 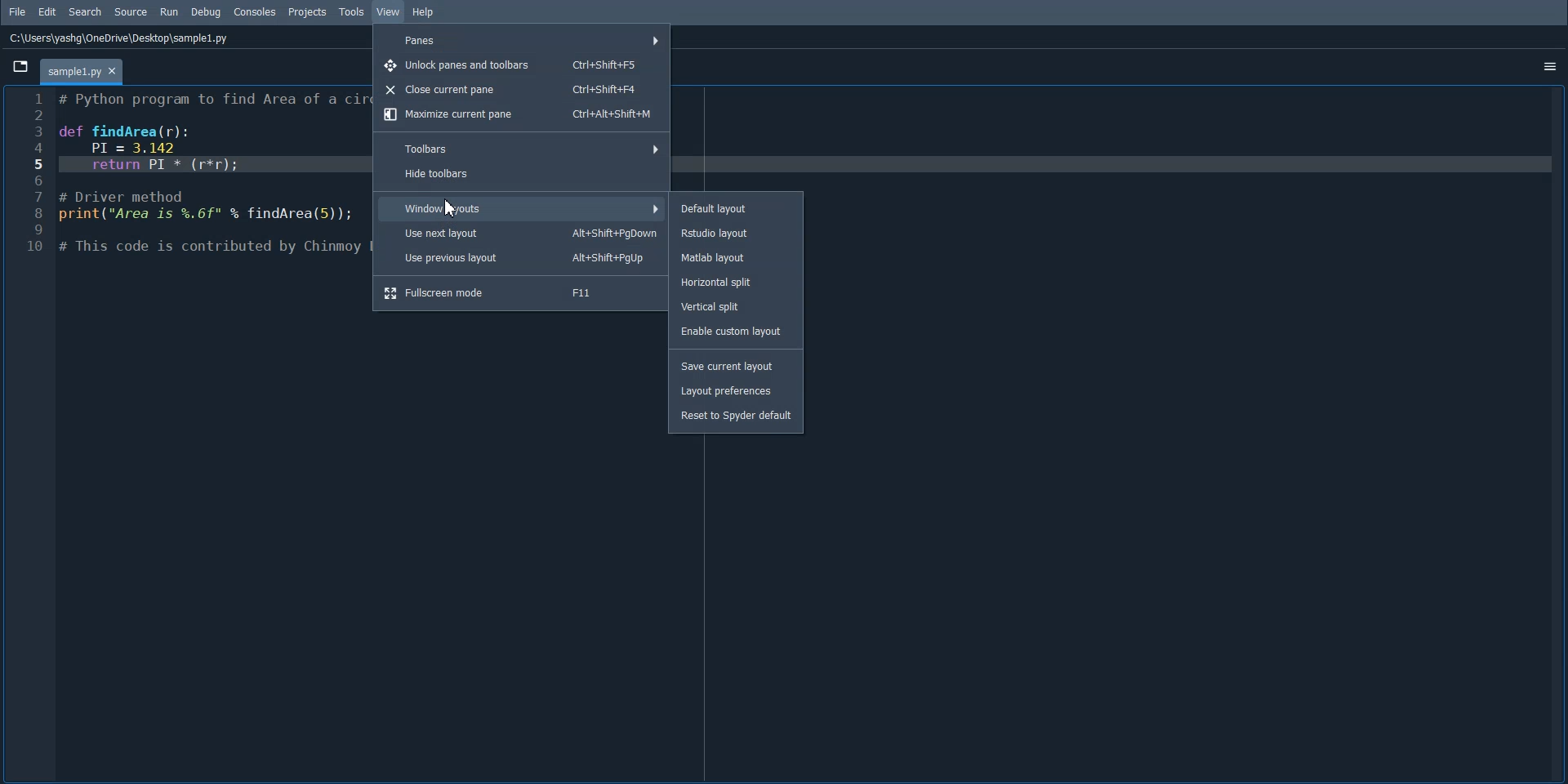 I want to click on Matlab layout, so click(x=736, y=257).